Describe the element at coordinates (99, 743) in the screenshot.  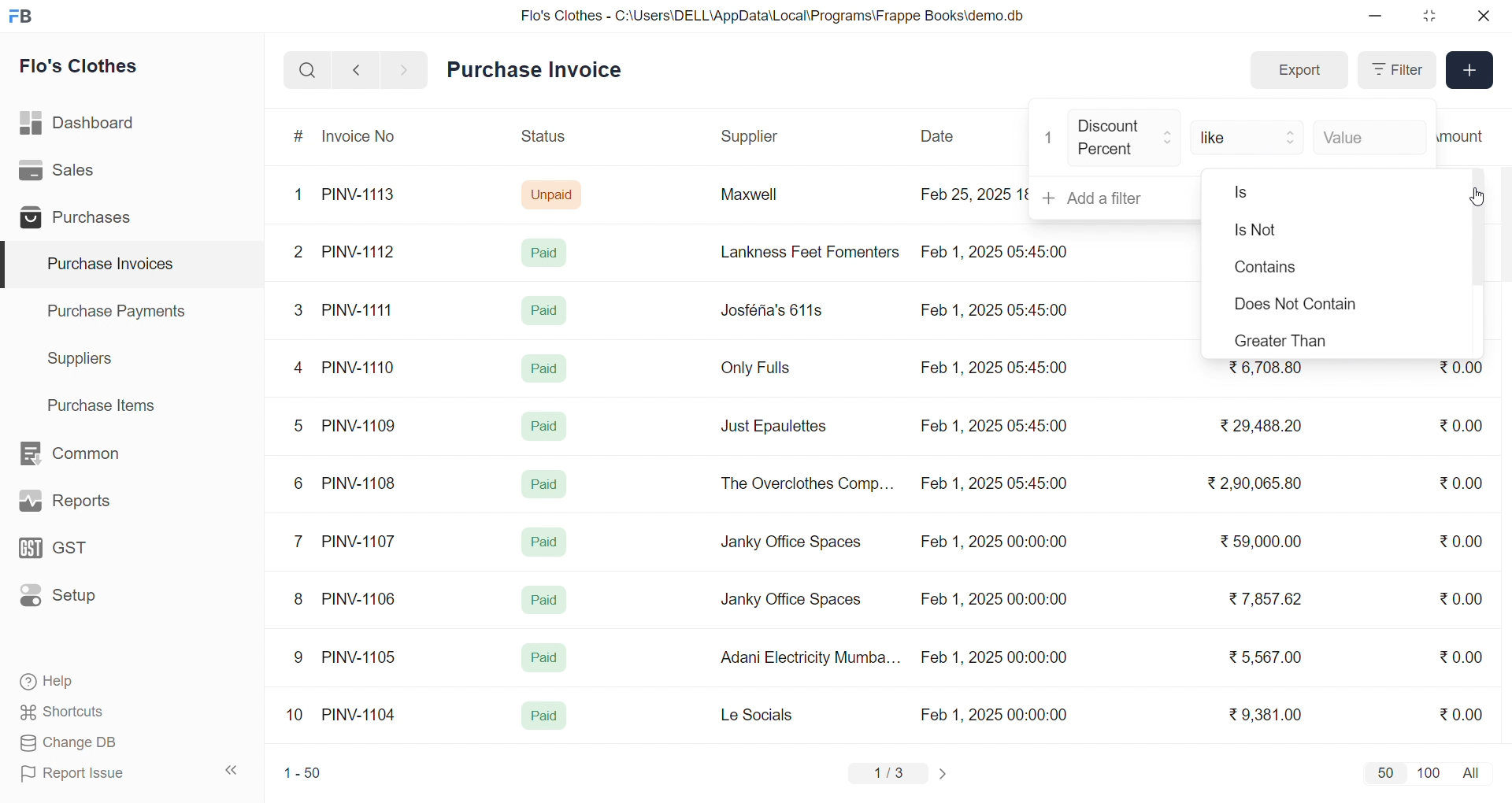
I see `Change DB` at that location.